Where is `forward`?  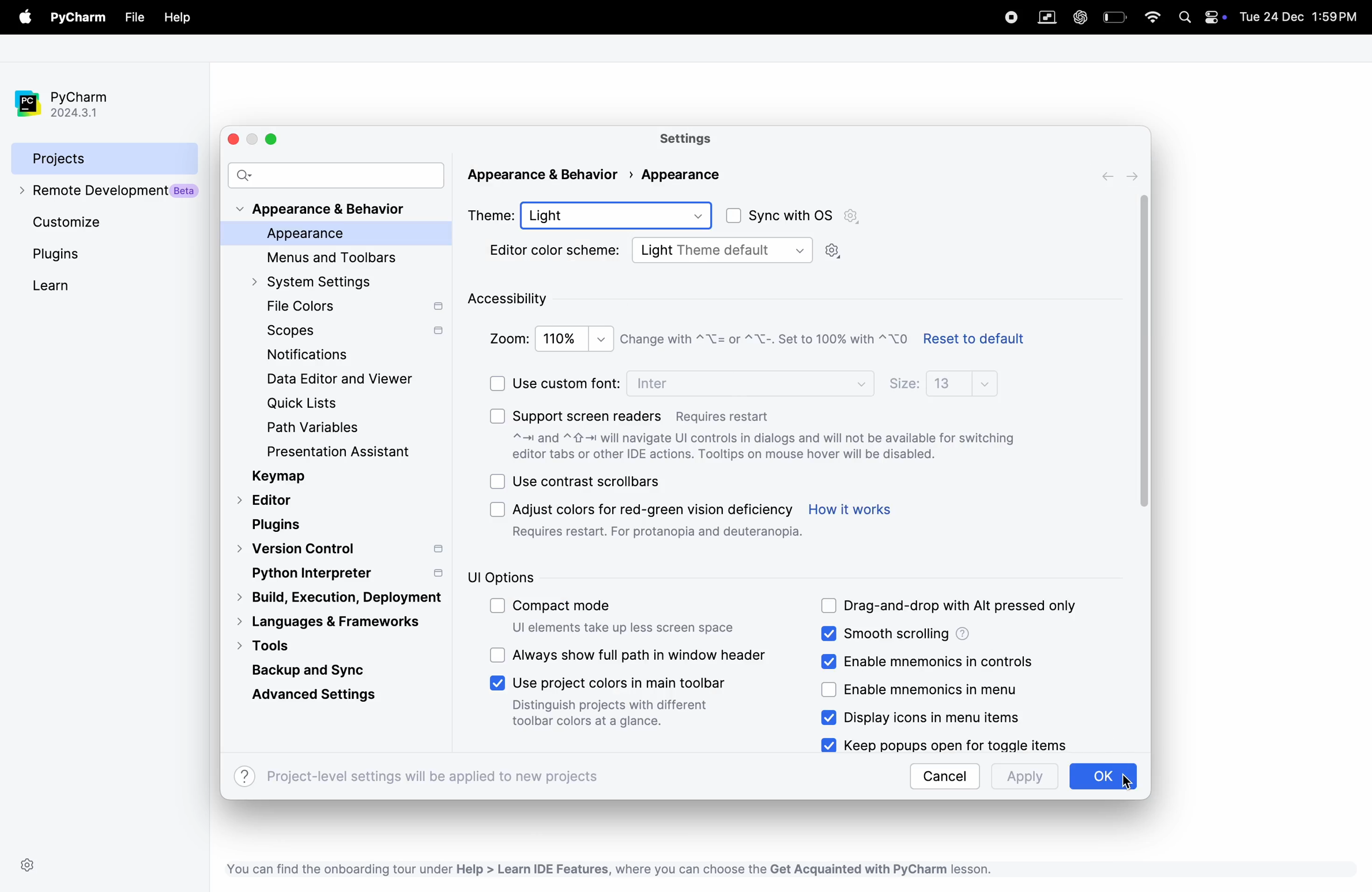
forward is located at coordinates (1105, 176).